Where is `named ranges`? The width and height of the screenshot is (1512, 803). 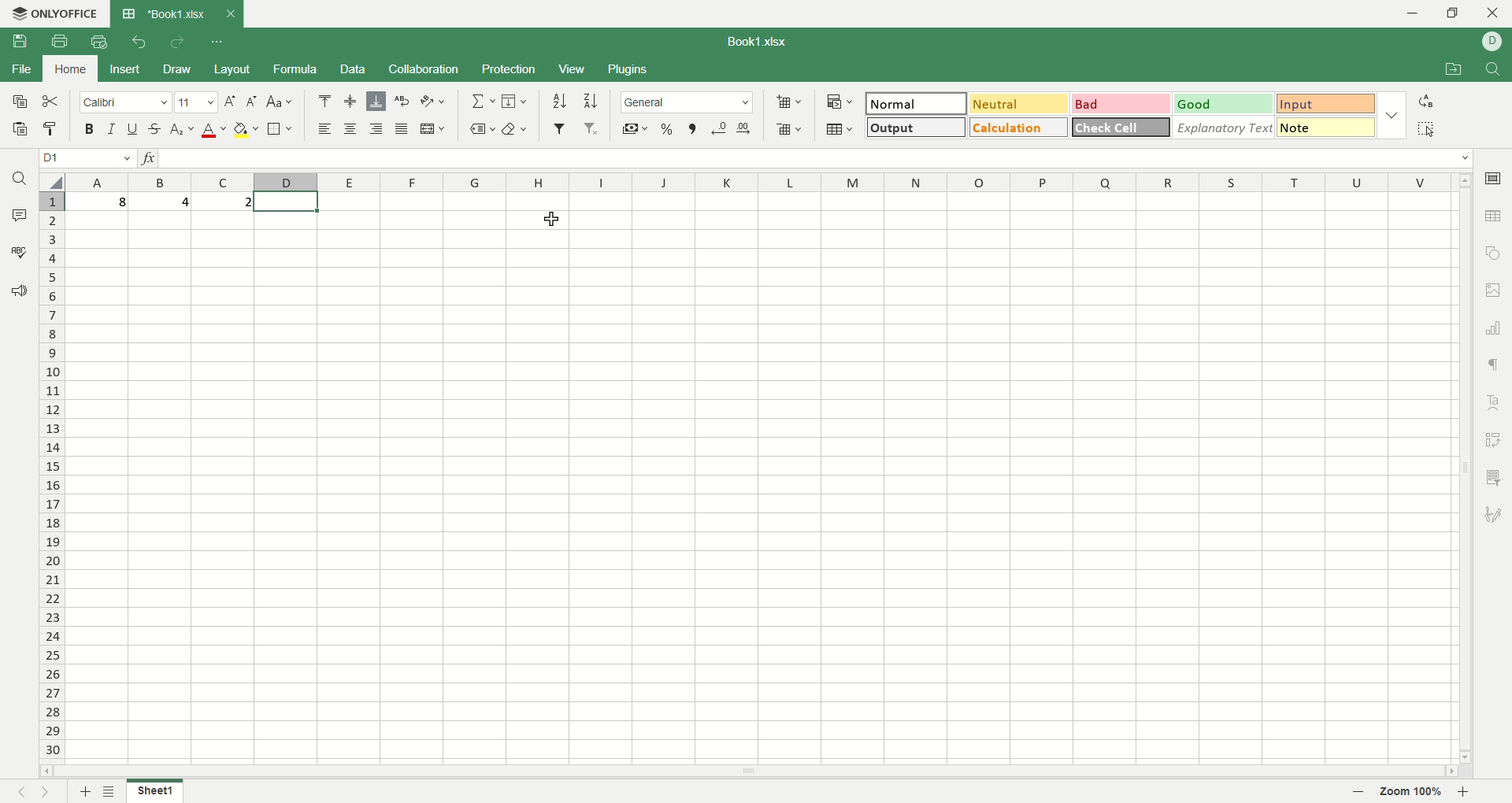 named ranges is located at coordinates (481, 129).